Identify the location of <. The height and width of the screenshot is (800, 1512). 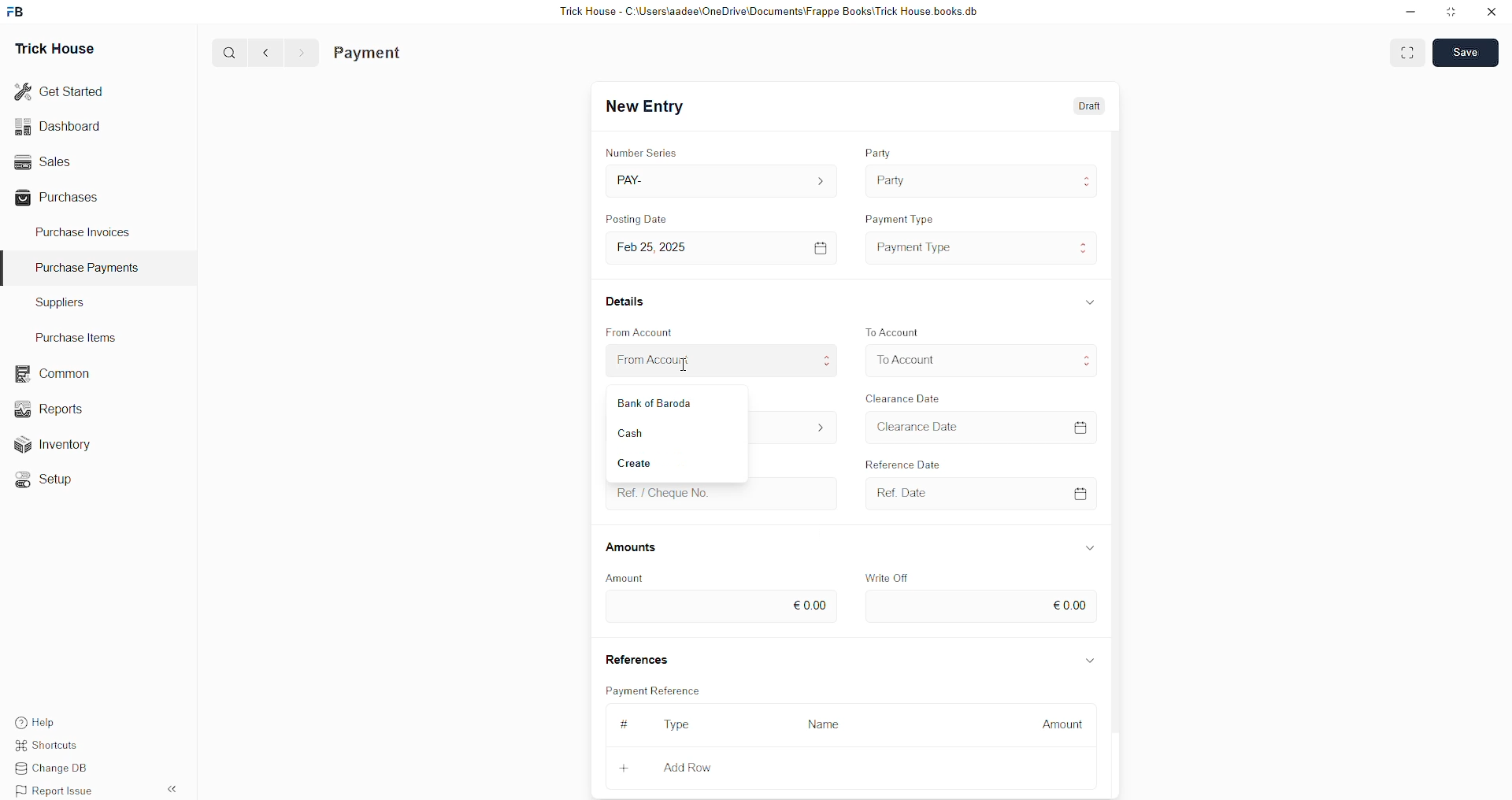
(262, 52).